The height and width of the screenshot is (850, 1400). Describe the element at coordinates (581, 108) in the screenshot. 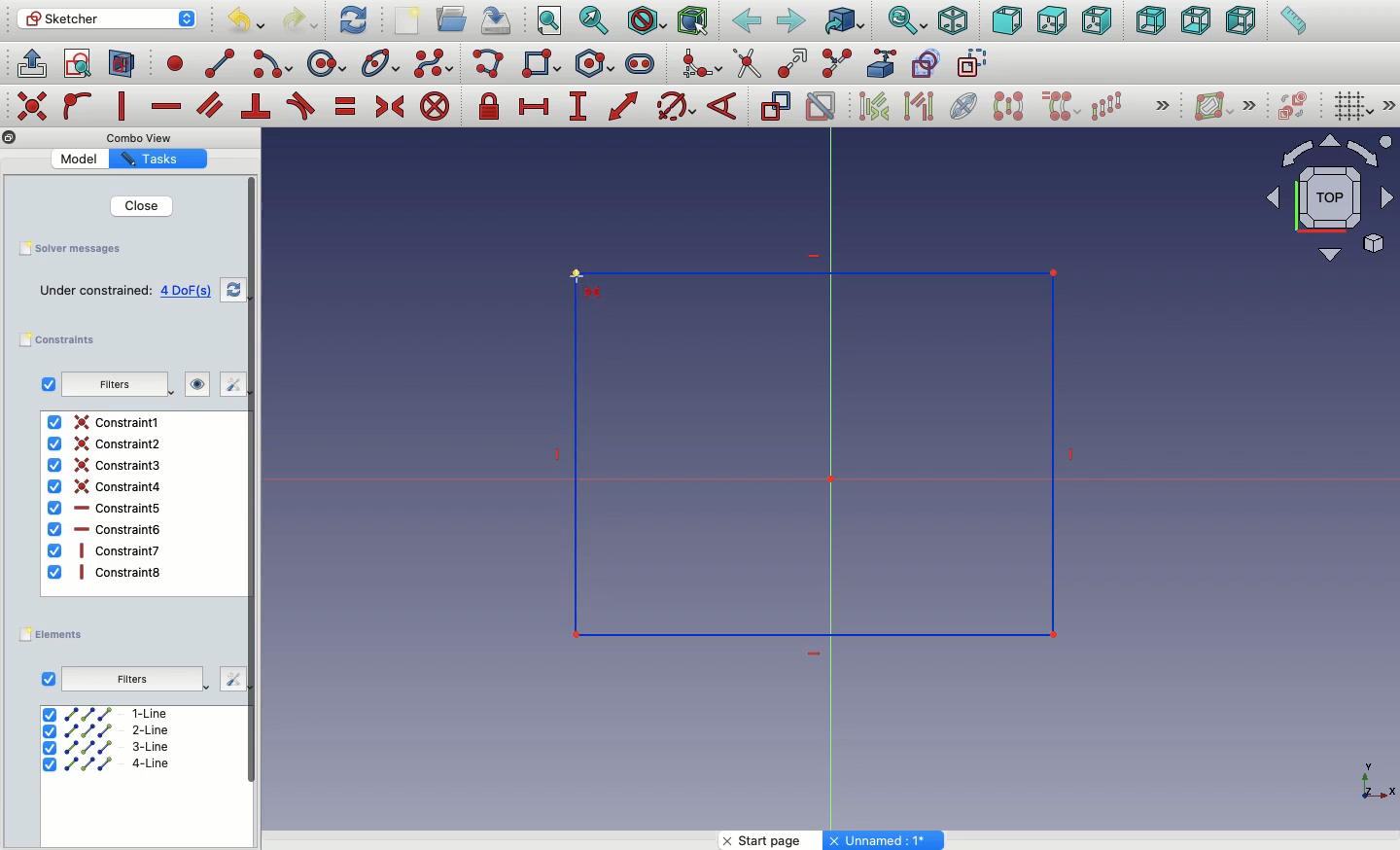

I see `constrain vertical distance` at that location.